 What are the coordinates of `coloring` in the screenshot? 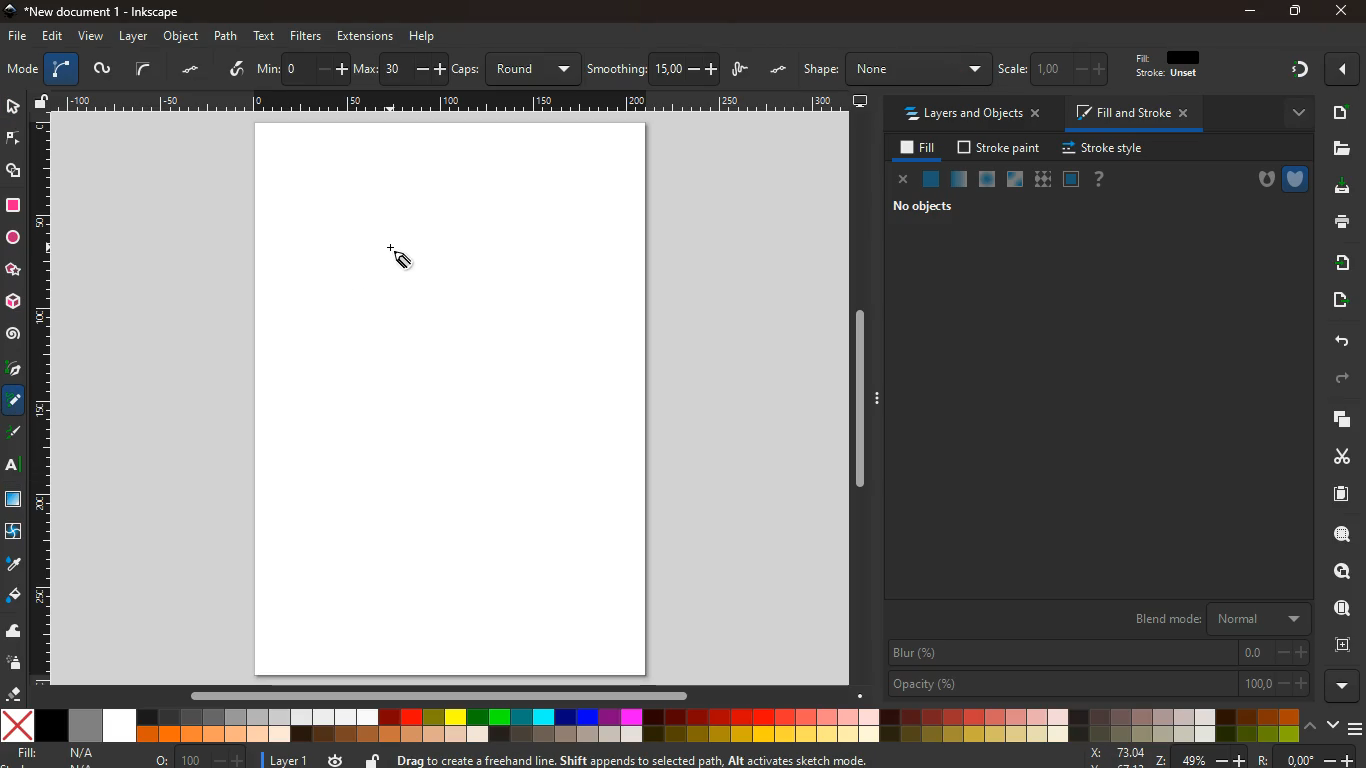 It's located at (14, 401).